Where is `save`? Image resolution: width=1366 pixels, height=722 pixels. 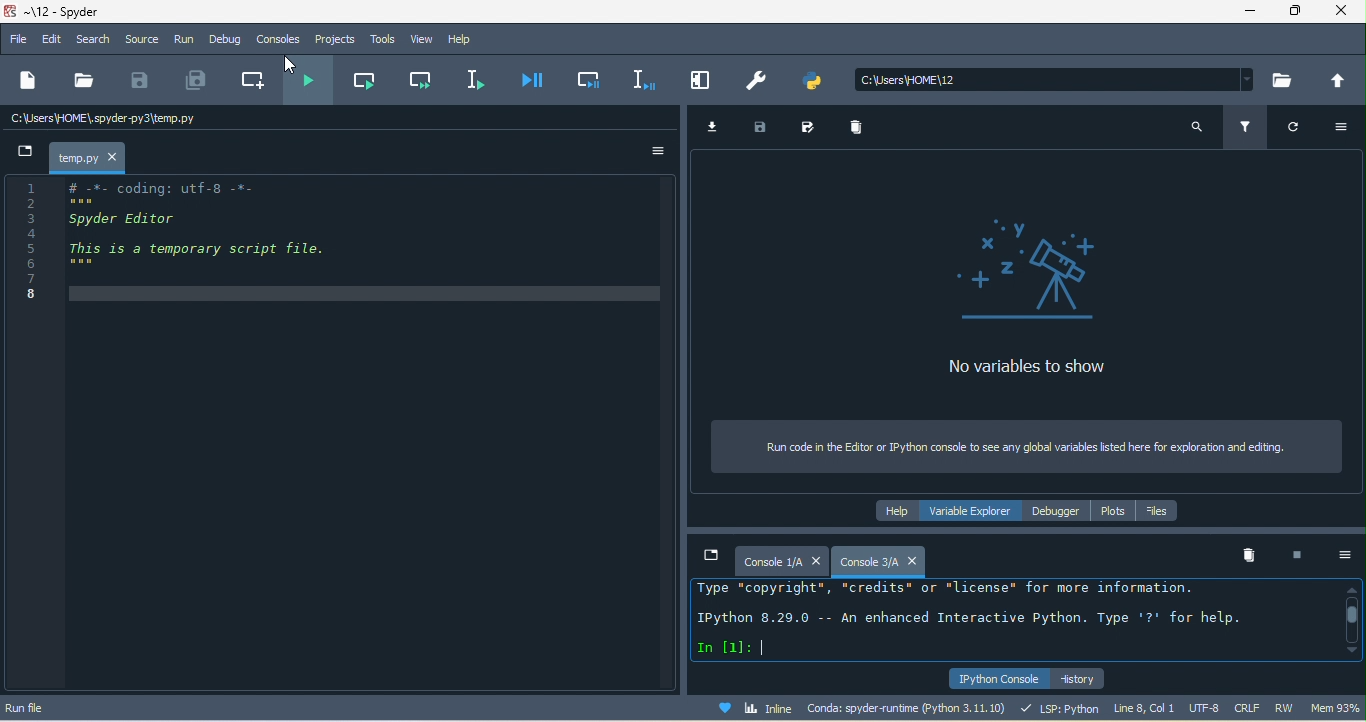 save is located at coordinates (142, 84).